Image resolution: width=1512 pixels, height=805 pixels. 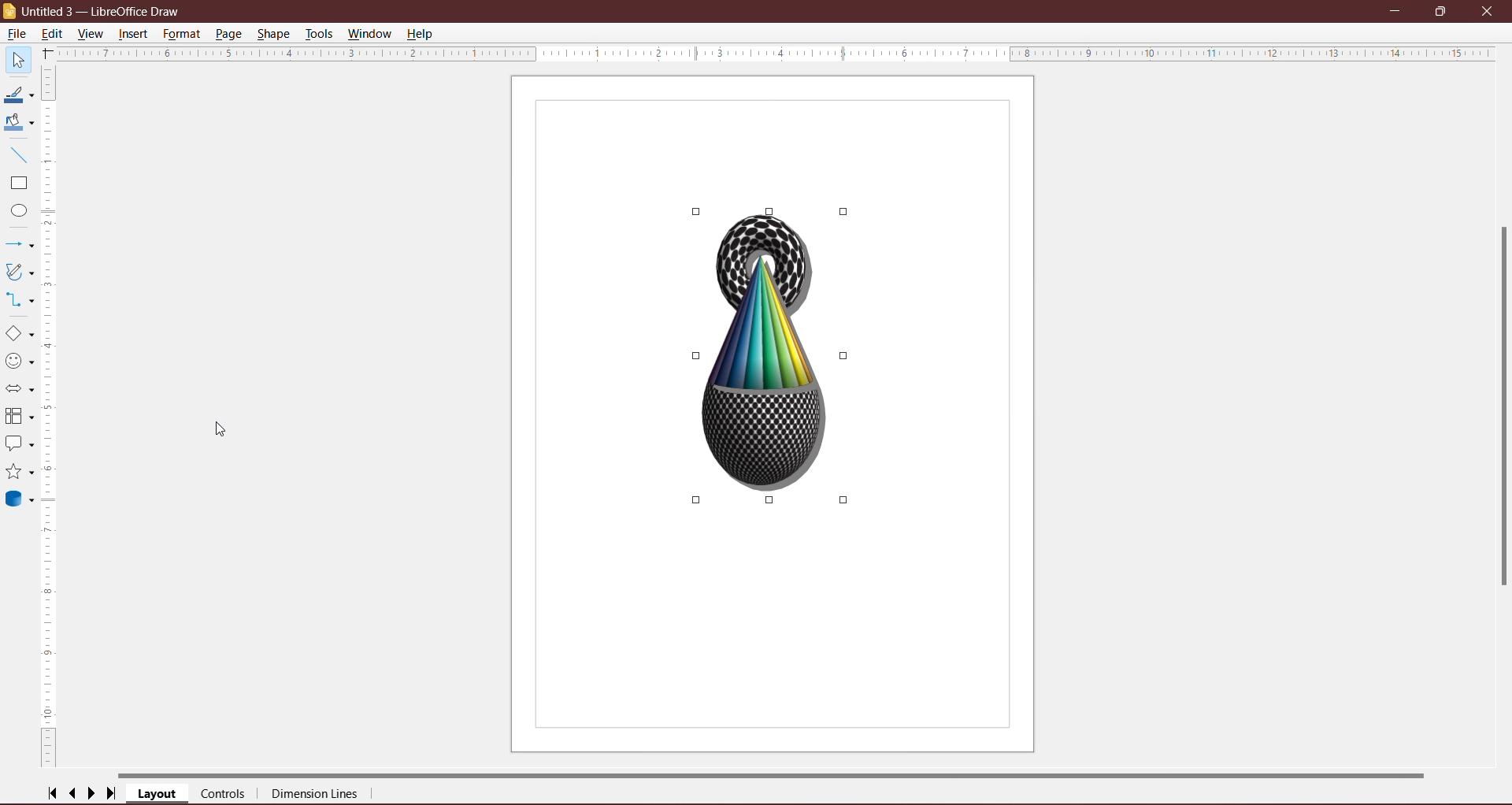 What do you see at coordinates (18, 184) in the screenshot?
I see `Rectangle` at bounding box center [18, 184].